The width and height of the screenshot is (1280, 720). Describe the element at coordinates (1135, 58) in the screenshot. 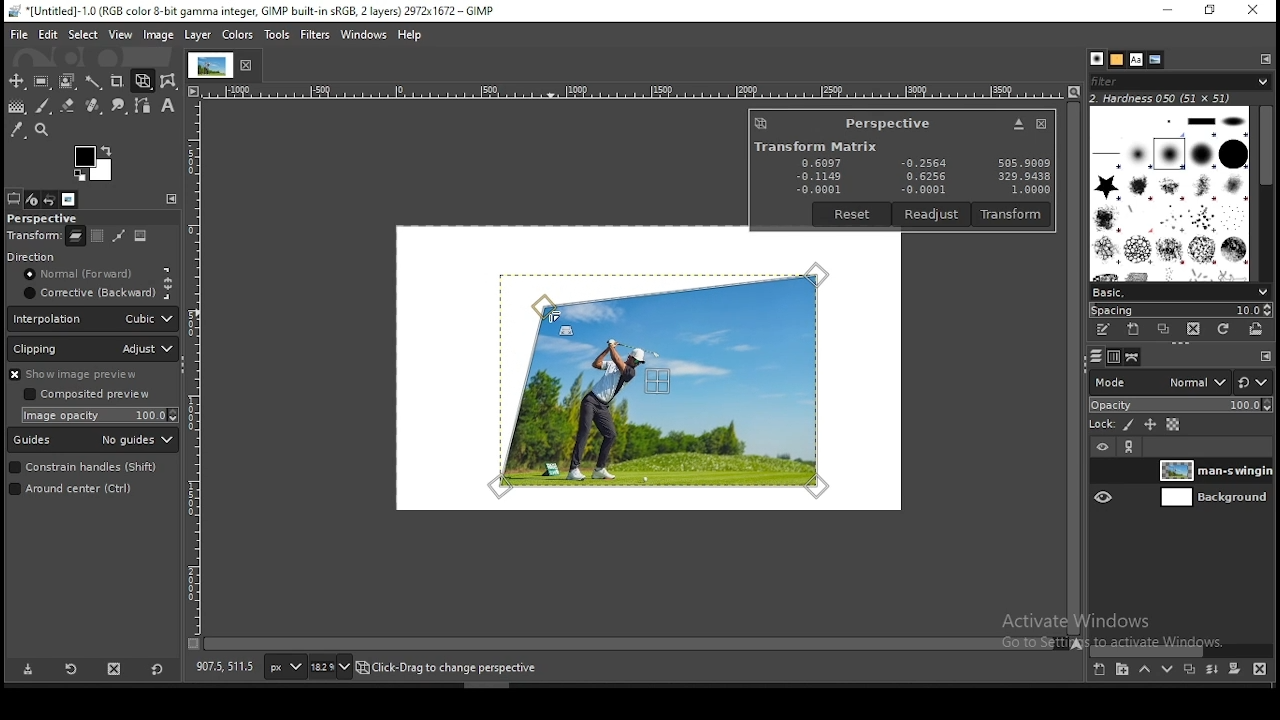

I see `fonts` at that location.